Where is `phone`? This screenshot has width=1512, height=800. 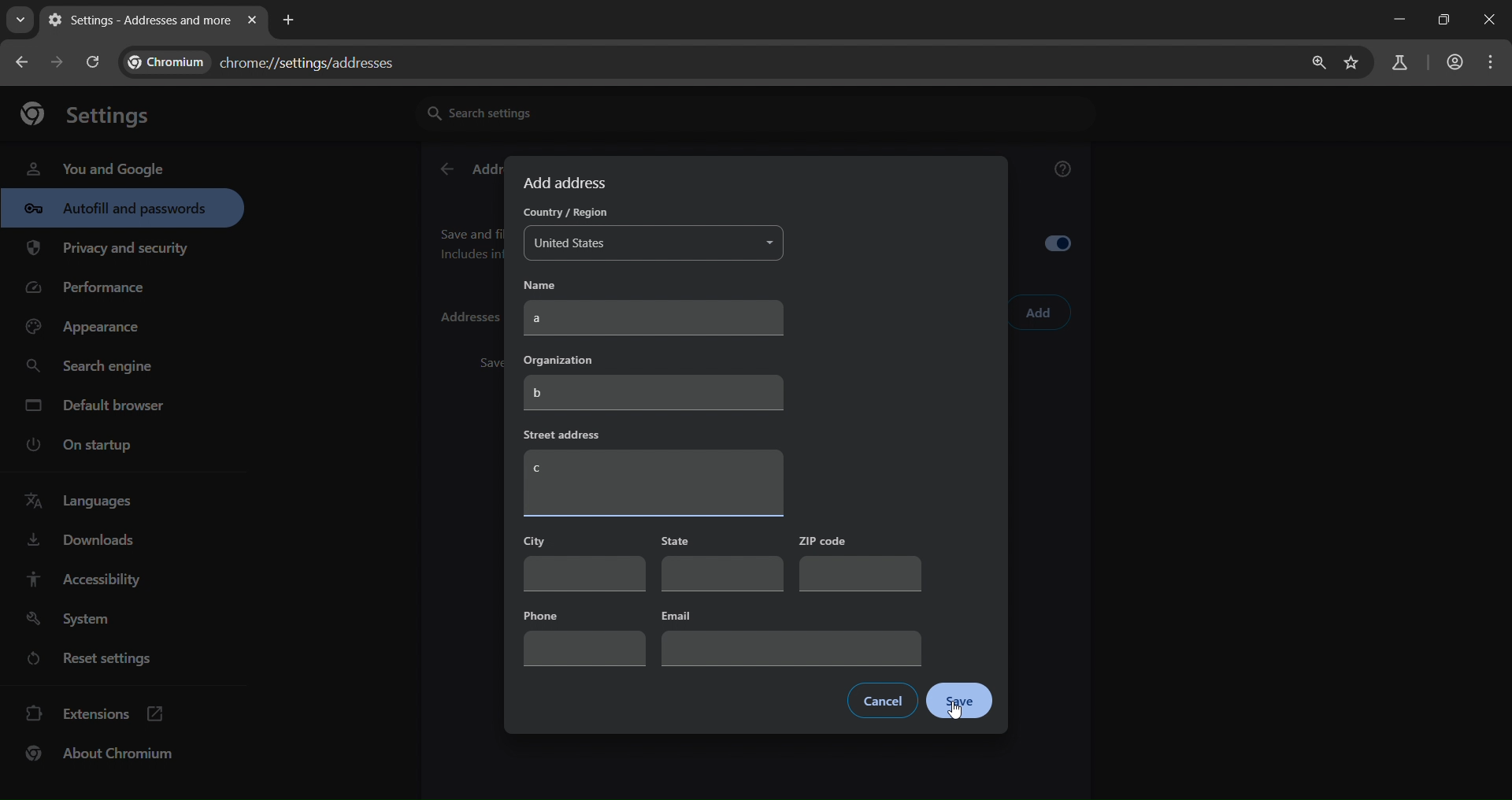 phone is located at coordinates (584, 635).